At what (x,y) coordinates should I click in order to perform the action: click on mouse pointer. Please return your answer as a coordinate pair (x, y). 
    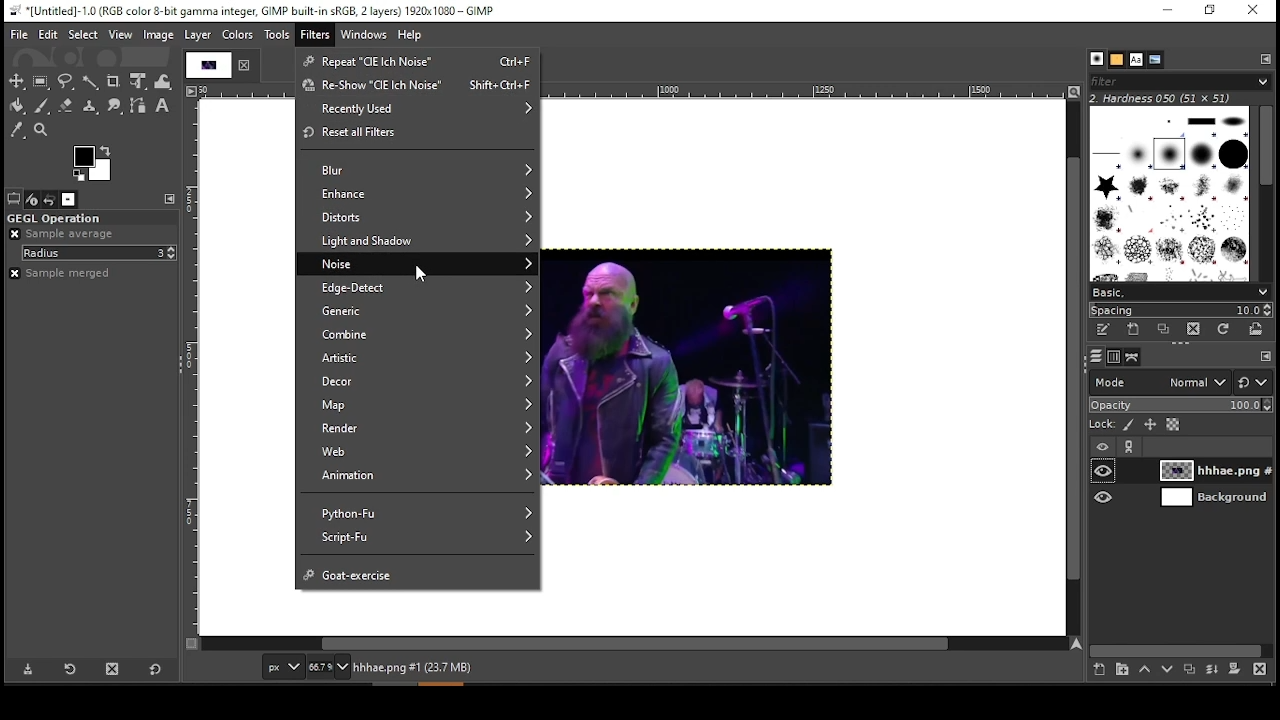
    Looking at the image, I should click on (427, 276).